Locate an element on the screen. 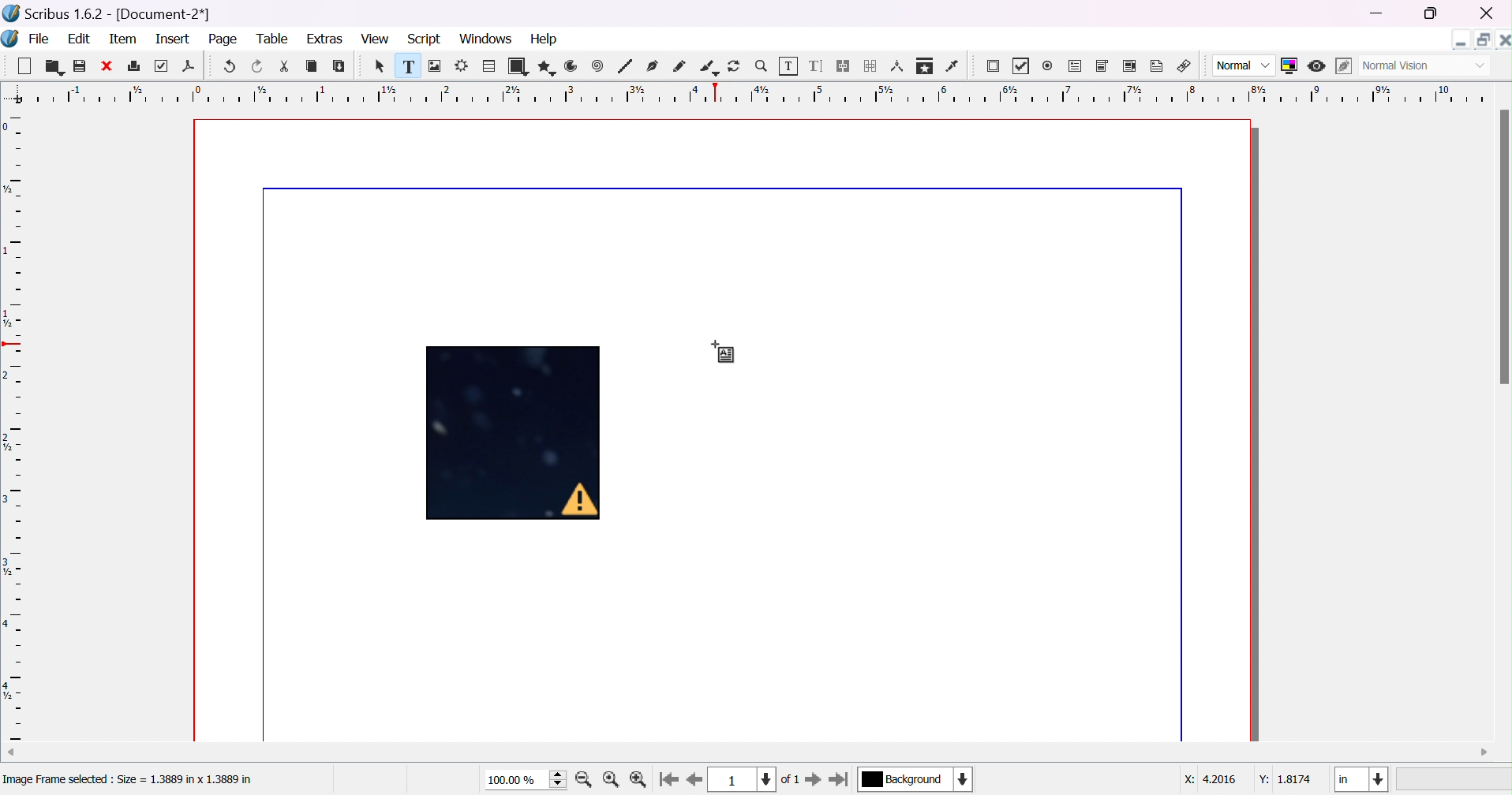 This screenshot has height=795, width=1512. table is located at coordinates (275, 39).